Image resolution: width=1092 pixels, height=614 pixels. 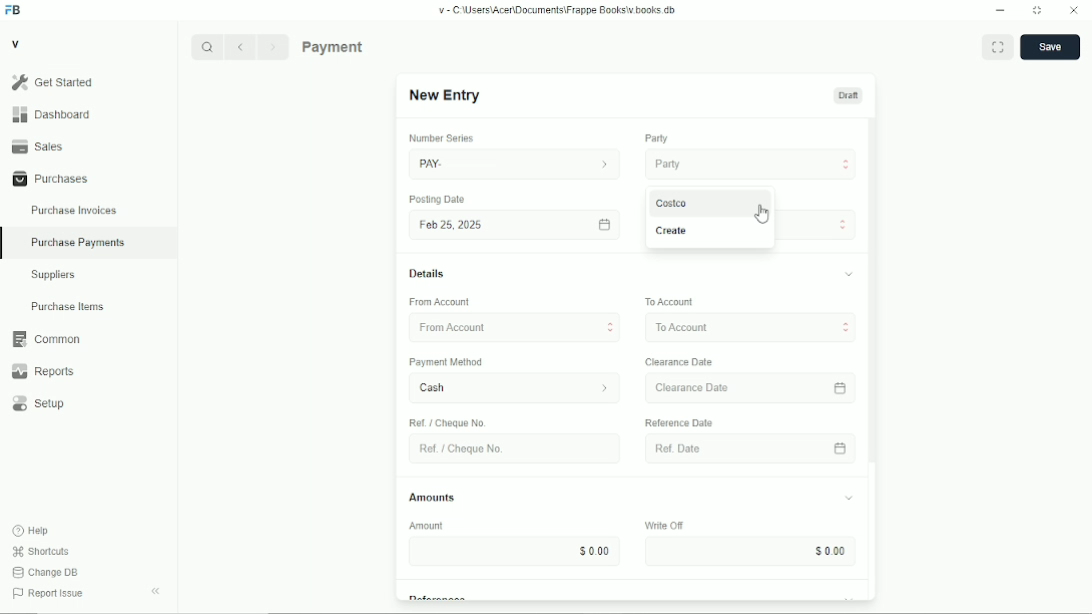 What do you see at coordinates (748, 552) in the screenshot?
I see `` at bounding box center [748, 552].